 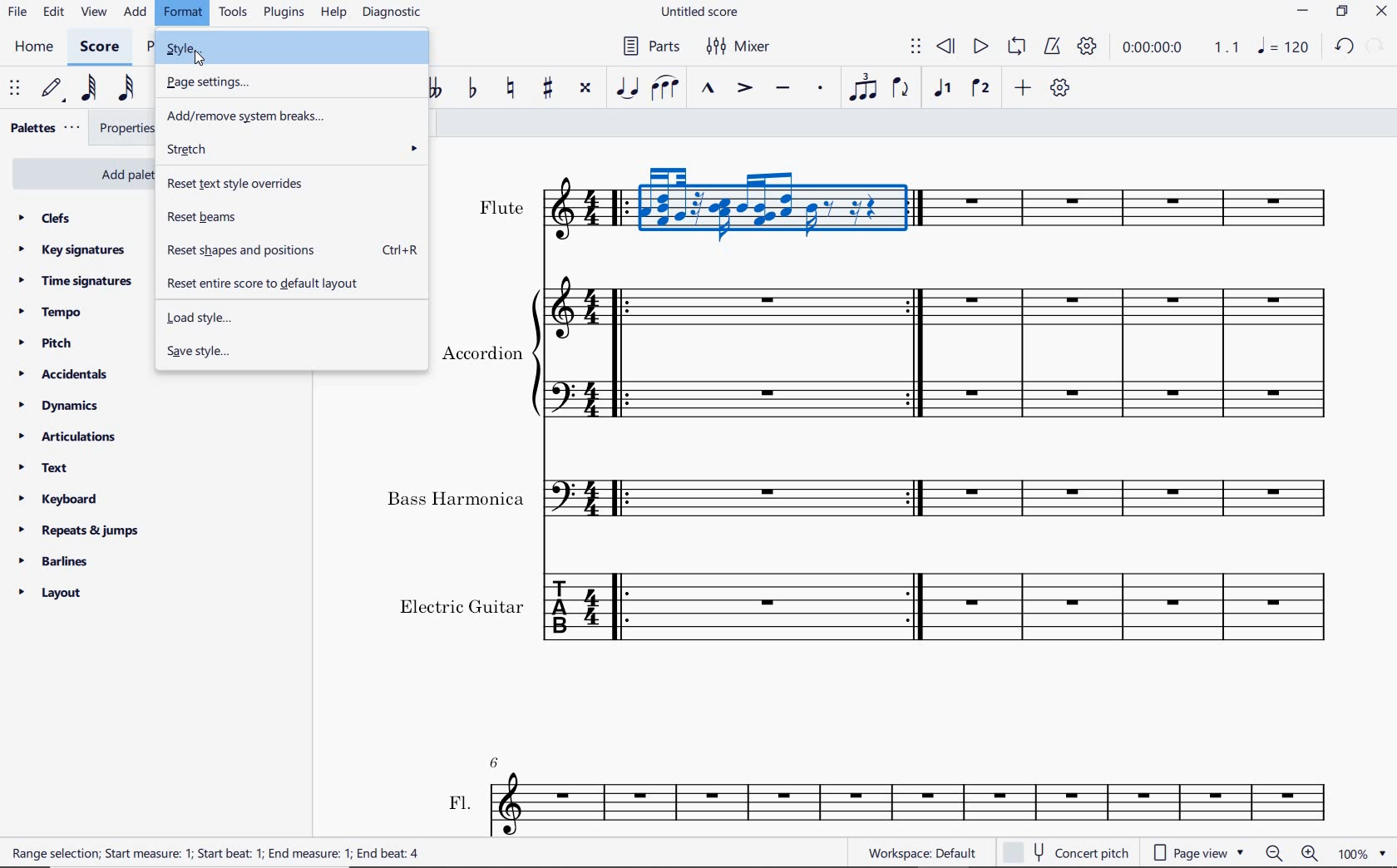 What do you see at coordinates (77, 284) in the screenshot?
I see `time signatures` at bounding box center [77, 284].